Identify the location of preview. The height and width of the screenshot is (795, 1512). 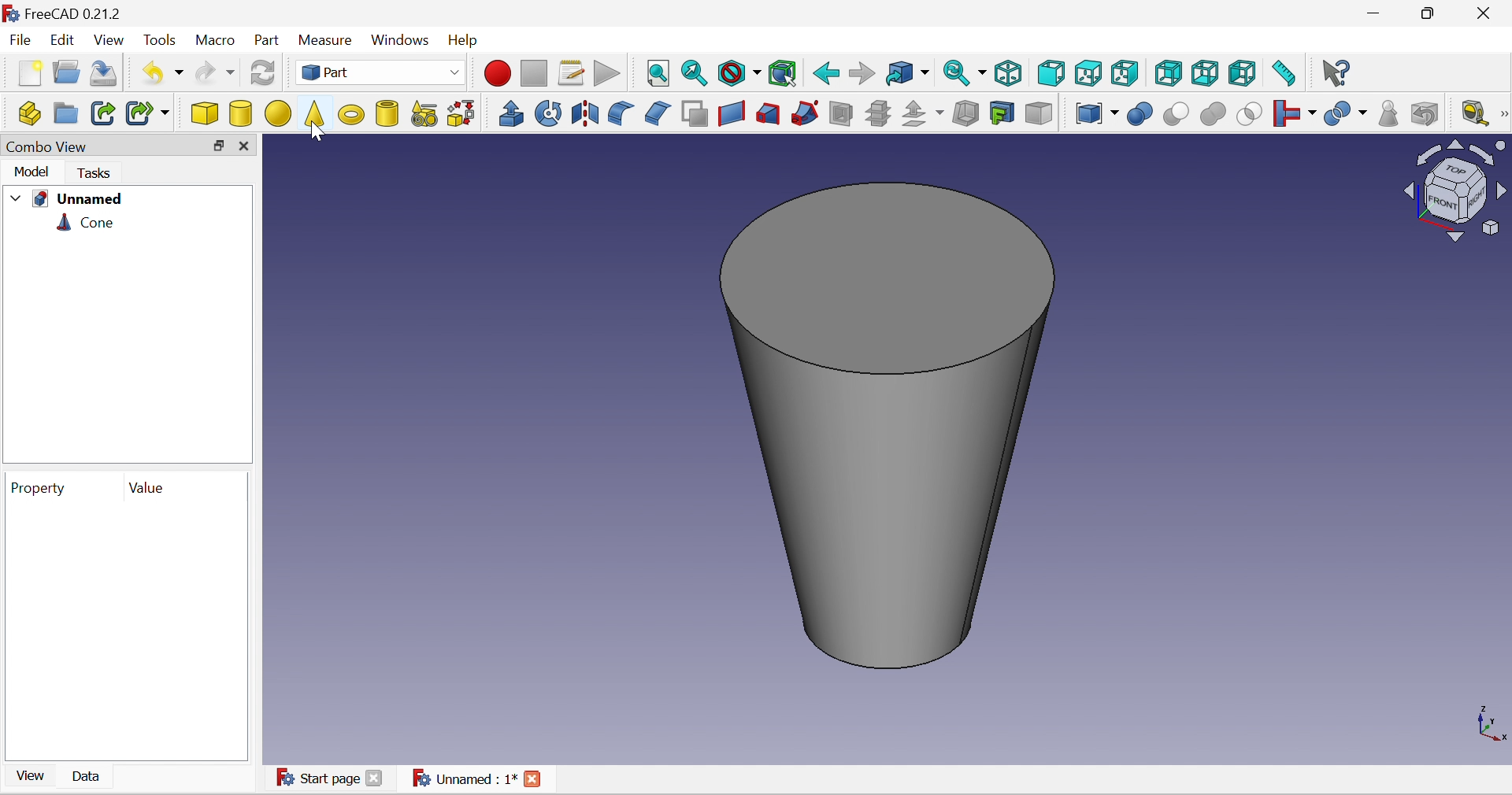
(125, 634).